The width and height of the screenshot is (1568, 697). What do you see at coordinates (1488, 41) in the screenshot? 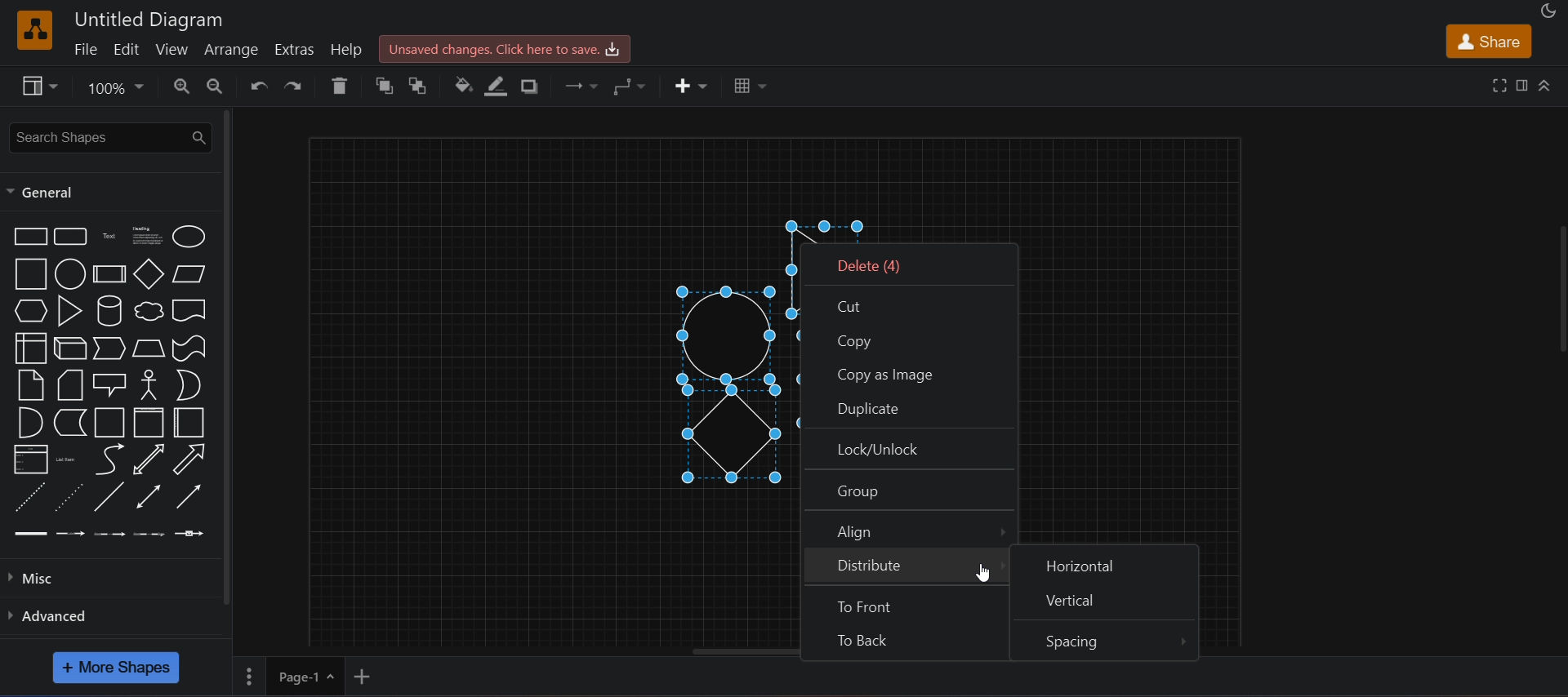
I see `share` at bounding box center [1488, 41].